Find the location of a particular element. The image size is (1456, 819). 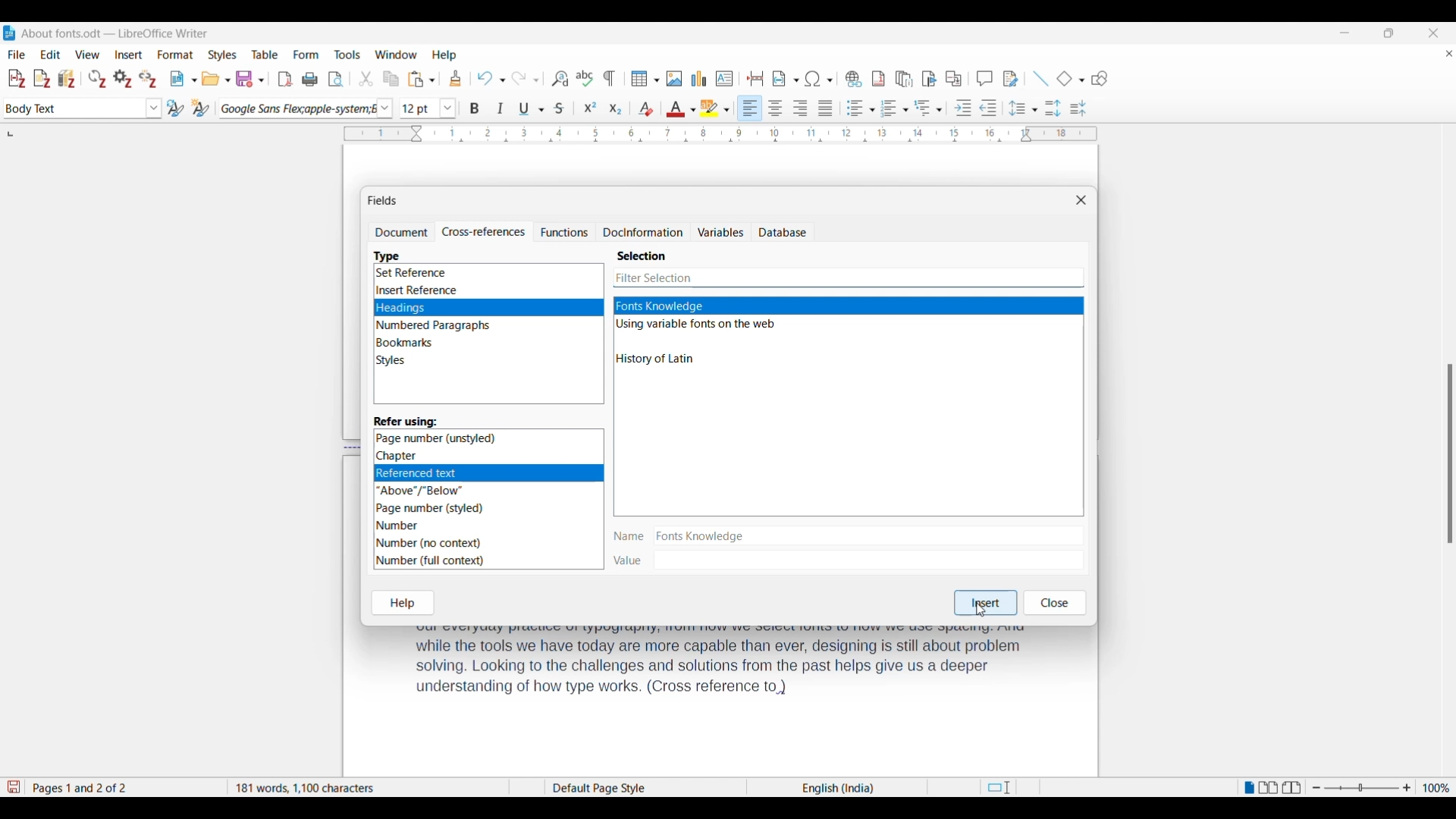

Section title is located at coordinates (391, 256).